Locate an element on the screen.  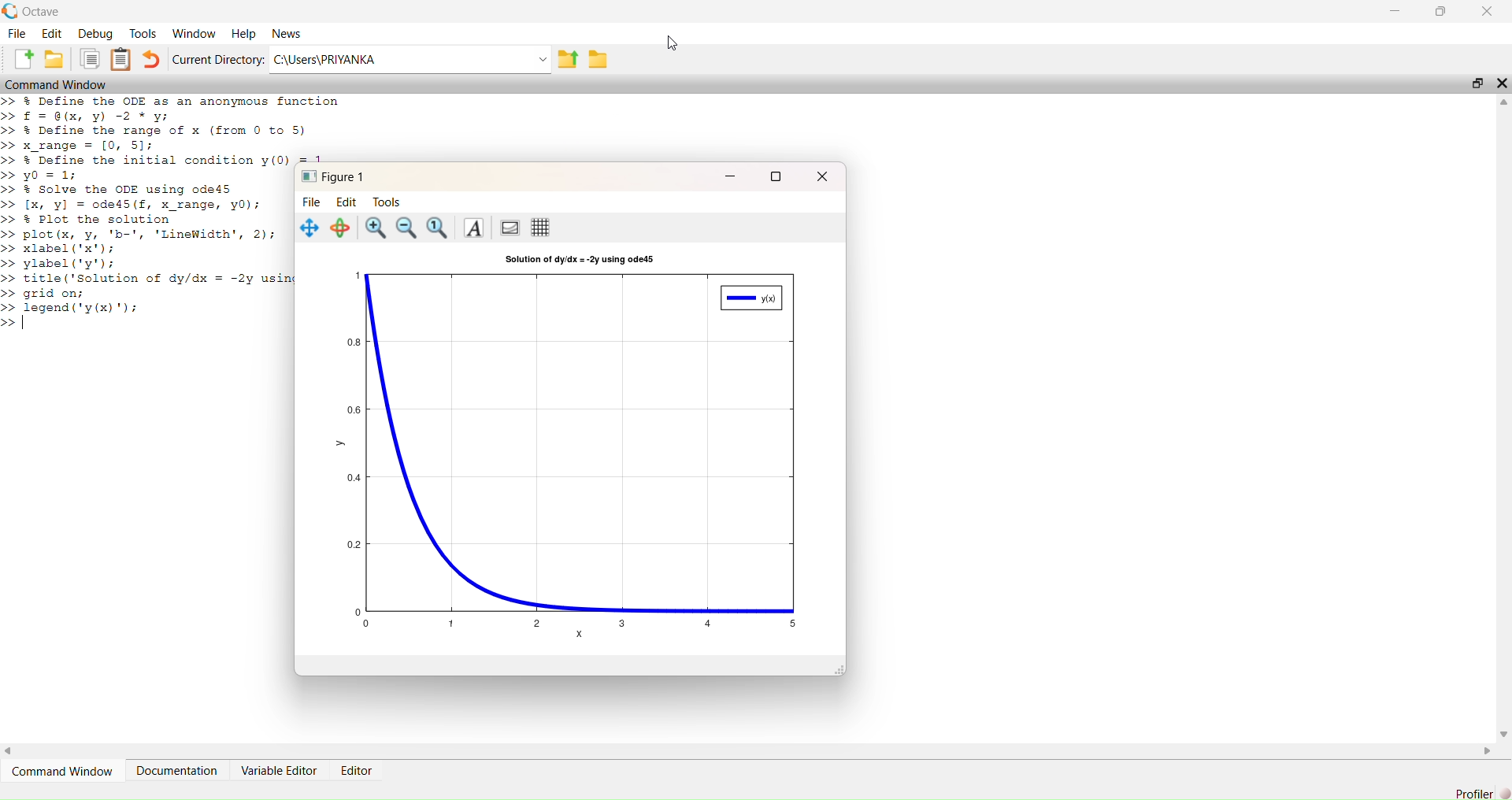
Figure 1 is located at coordinates (330, 175).